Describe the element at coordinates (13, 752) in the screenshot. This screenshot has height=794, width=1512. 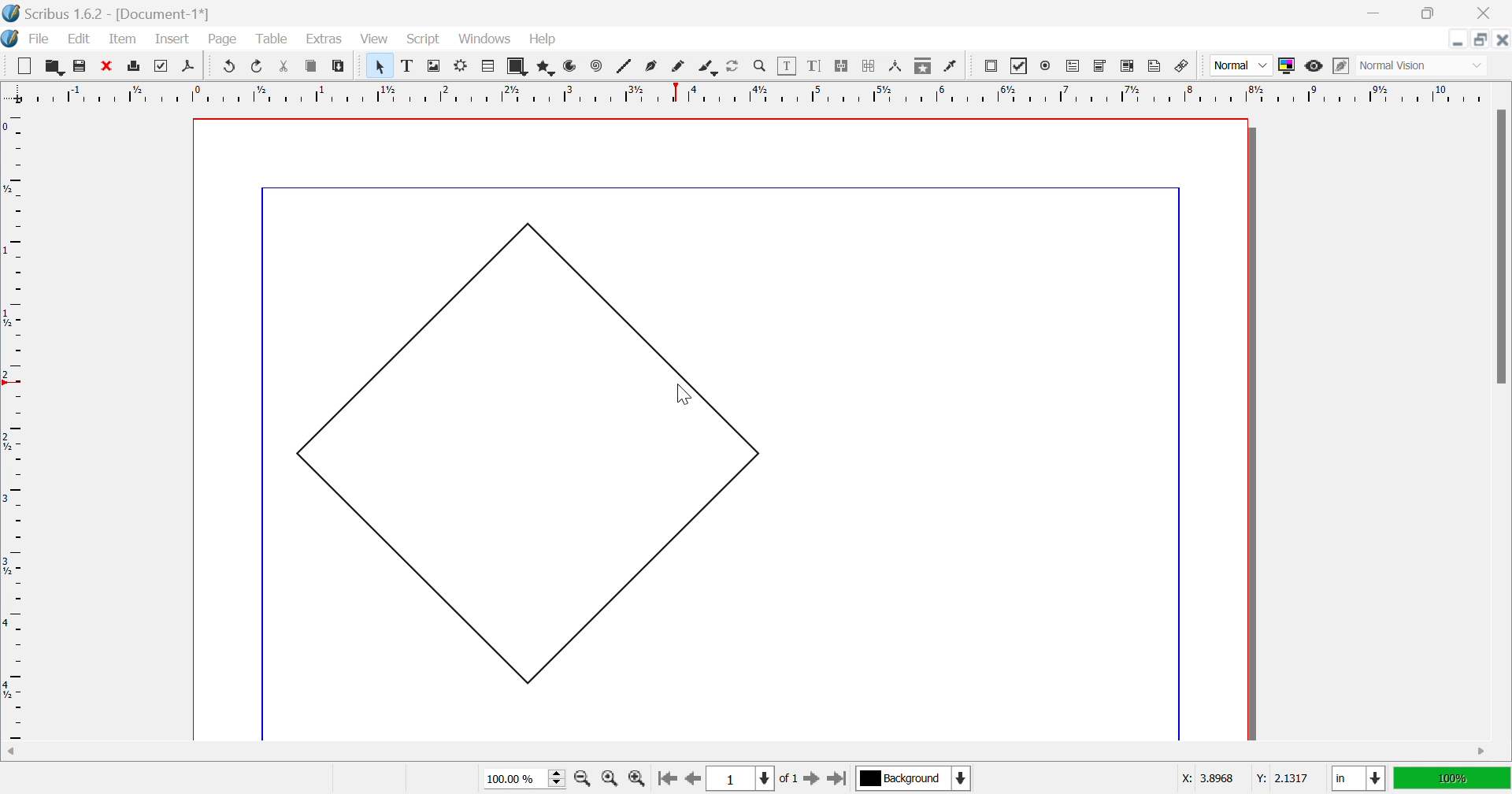
I see `Scroll left` at that location.